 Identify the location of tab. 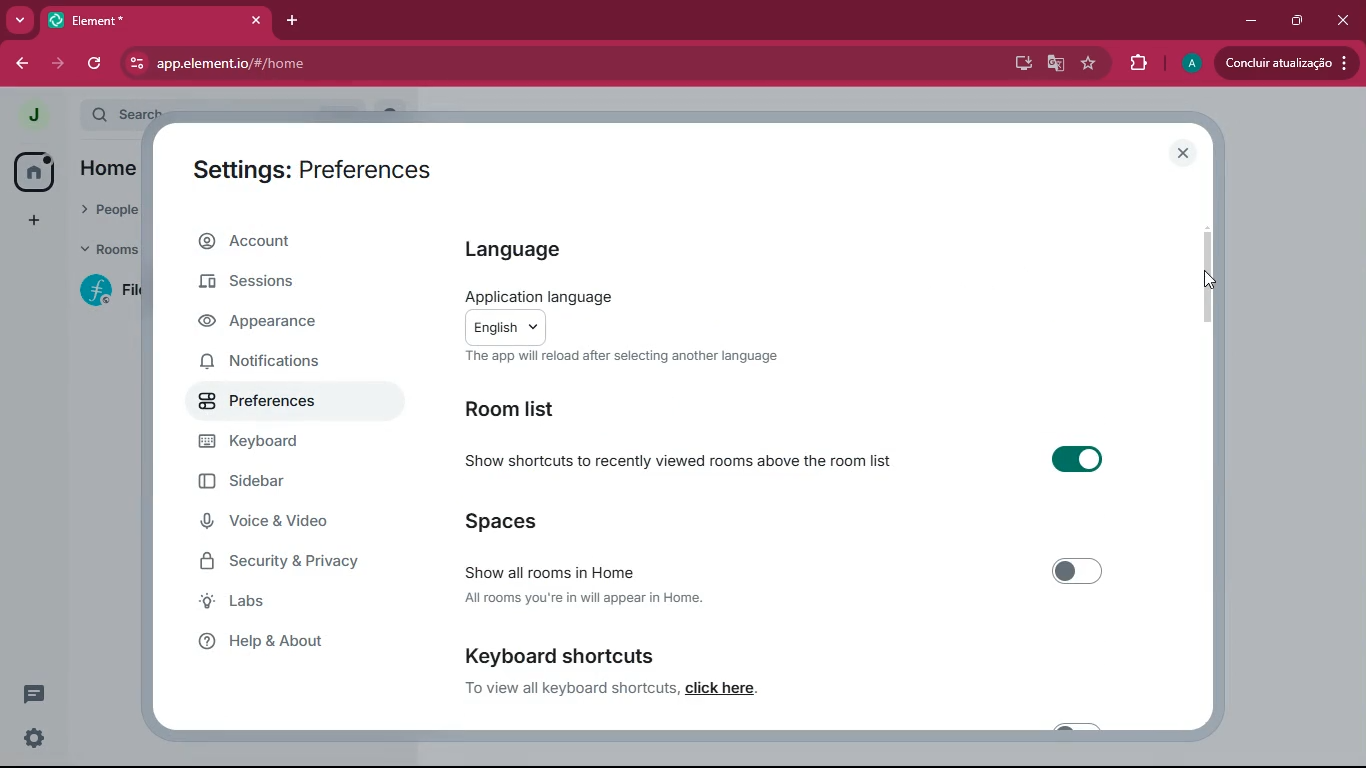
(99, 20).